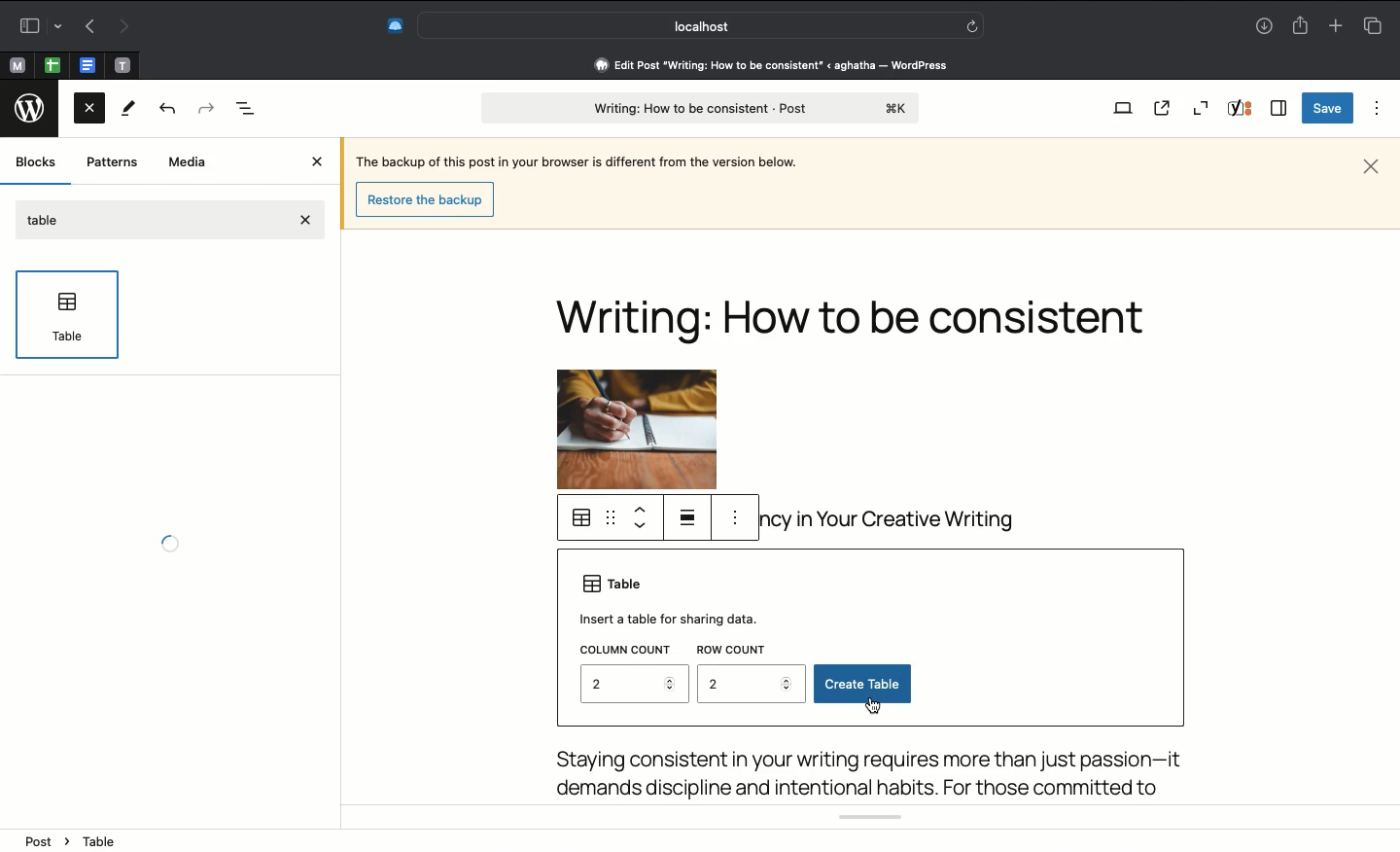 This screenshot has height=852, width=1400. What do you see at coordinates (65, 316) in the screenshot?
I see `Table` at bounding box center [65, 316].